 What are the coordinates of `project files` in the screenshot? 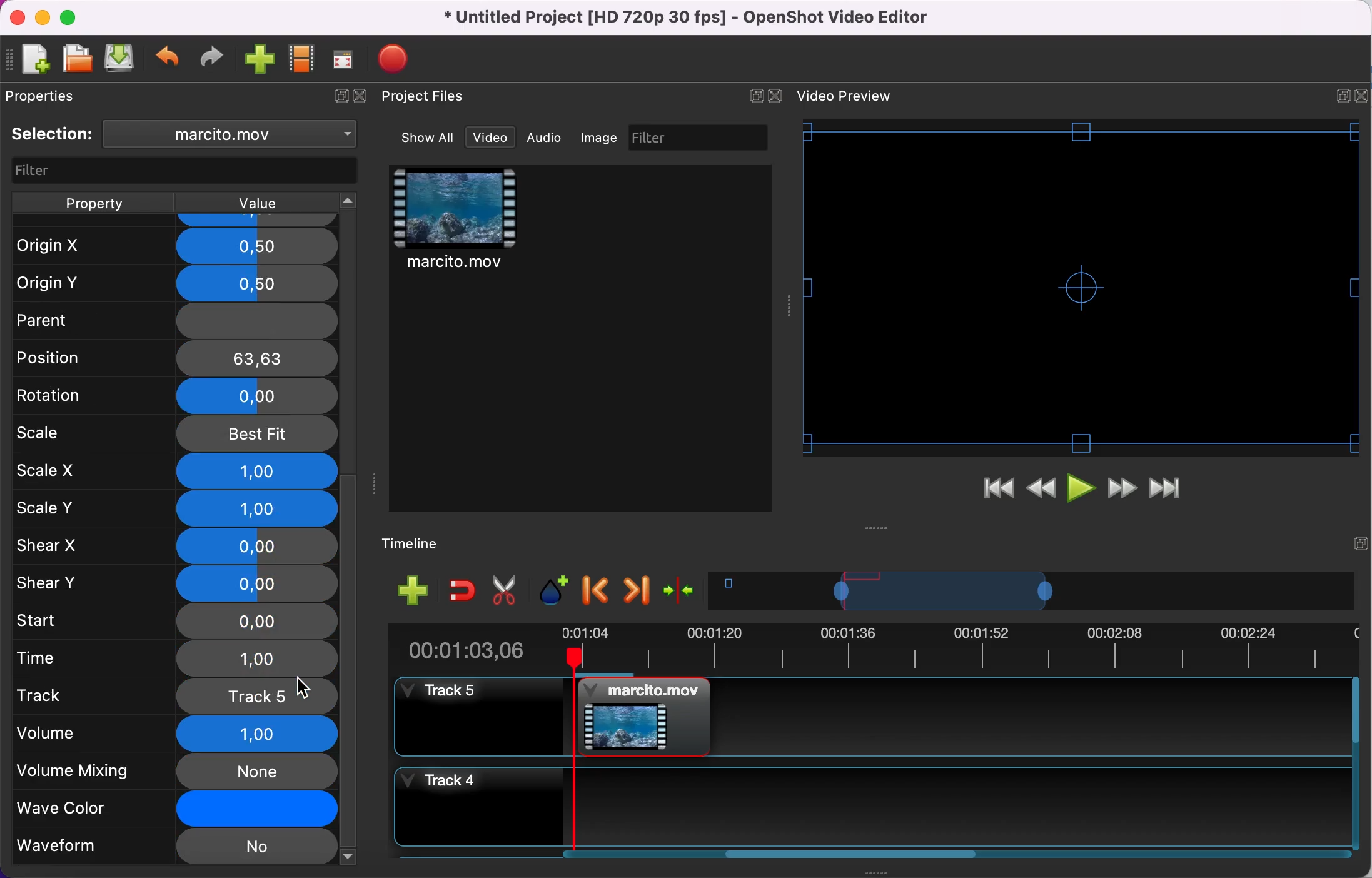 It's located at (425, 97).